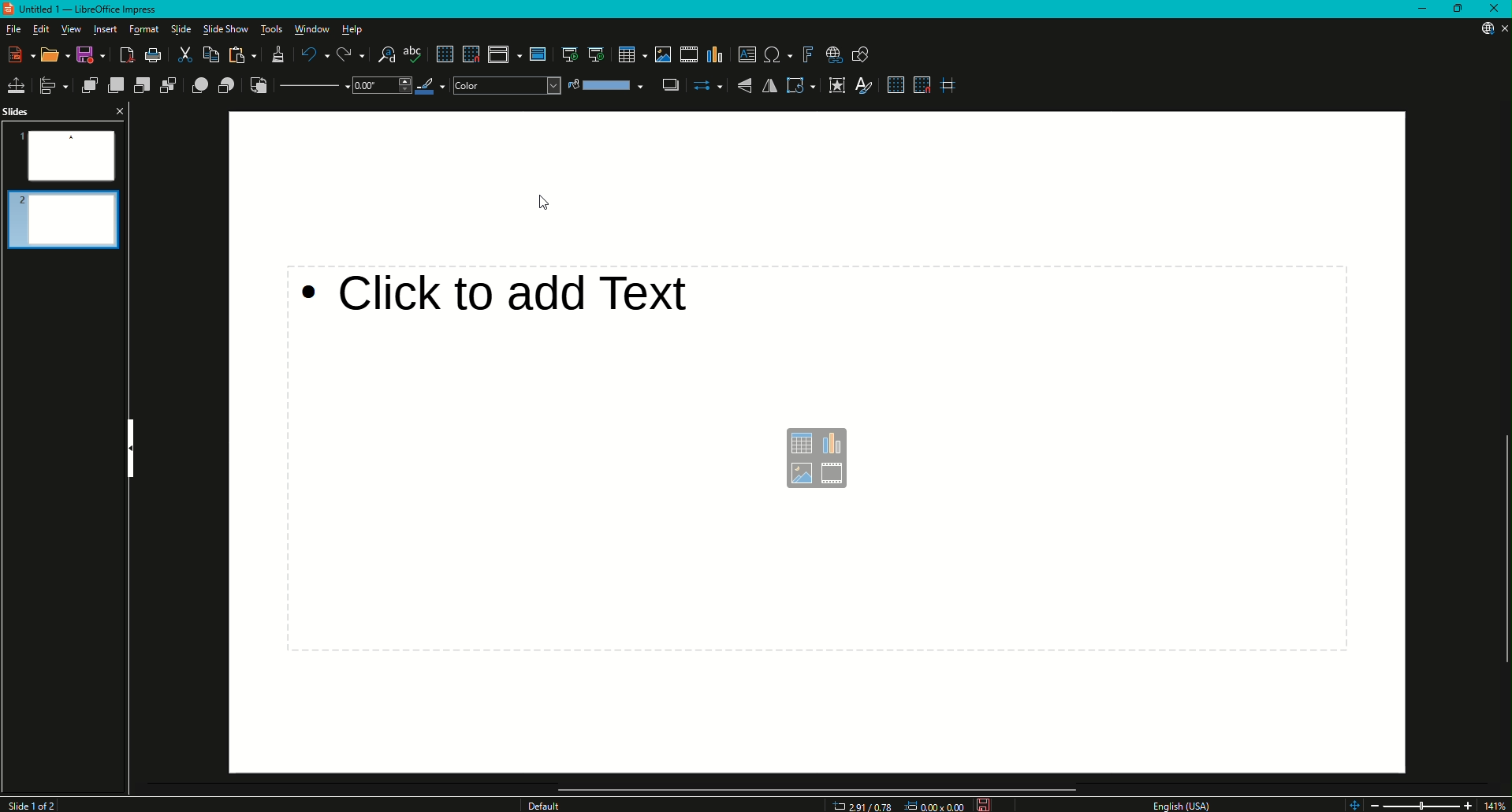  What do you see at coordinates (18, 55) in the screenshot?
I see `New` at bounding box center [18, 55].